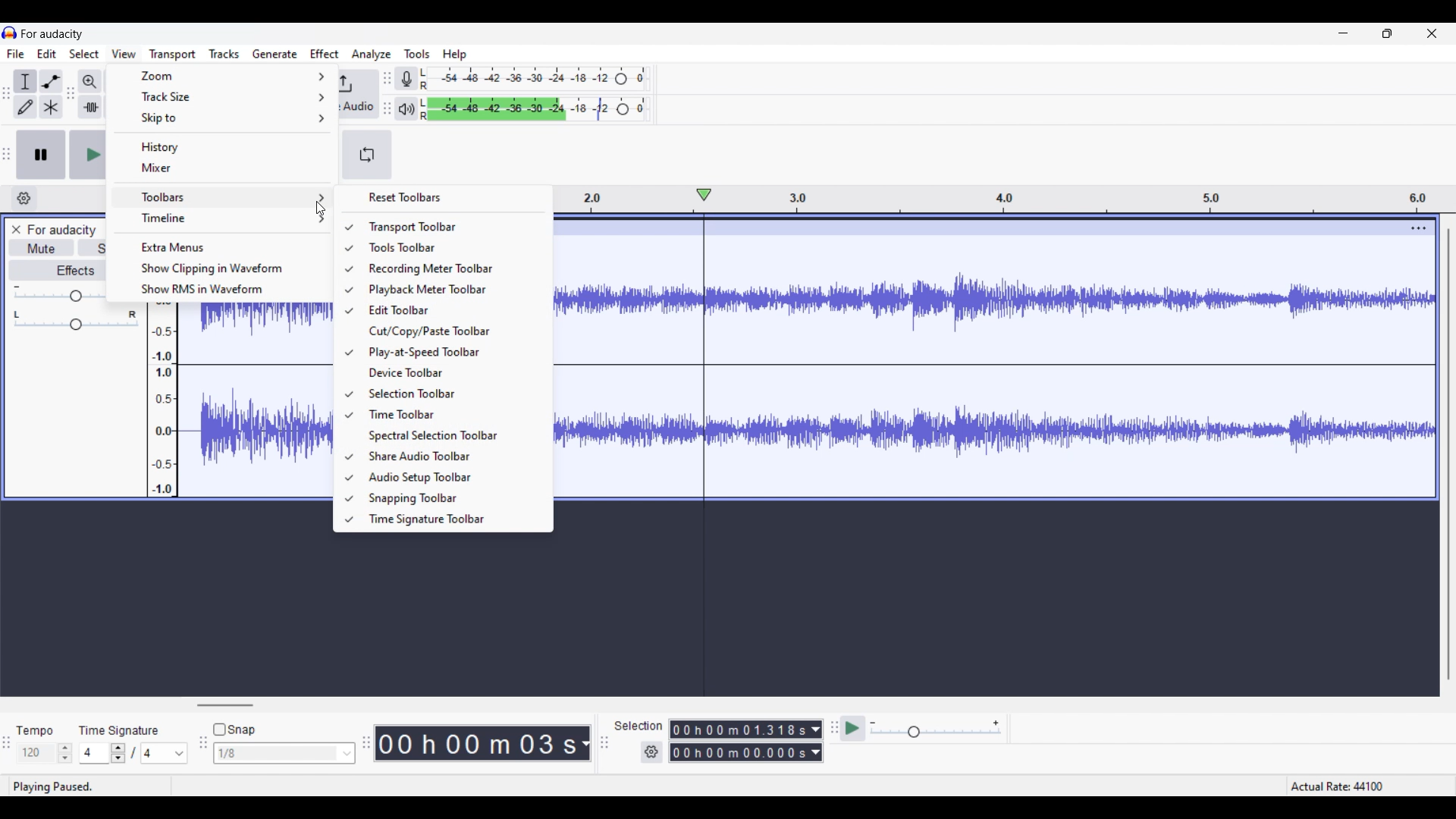  What do you see at coordinates (1448, 454) in the screenshot?
I see `Vertical slide bar` at bounding box center [1448, 454].